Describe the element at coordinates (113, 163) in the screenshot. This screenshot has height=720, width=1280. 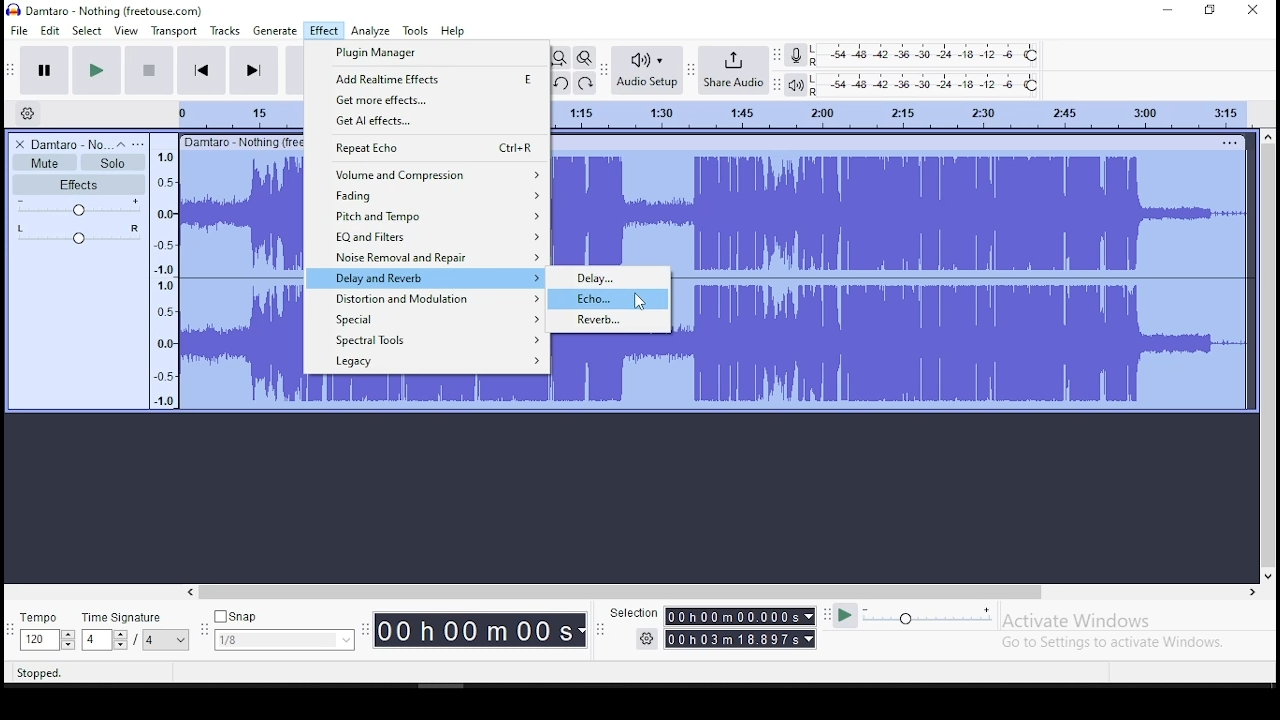
I see `solo` at that location.